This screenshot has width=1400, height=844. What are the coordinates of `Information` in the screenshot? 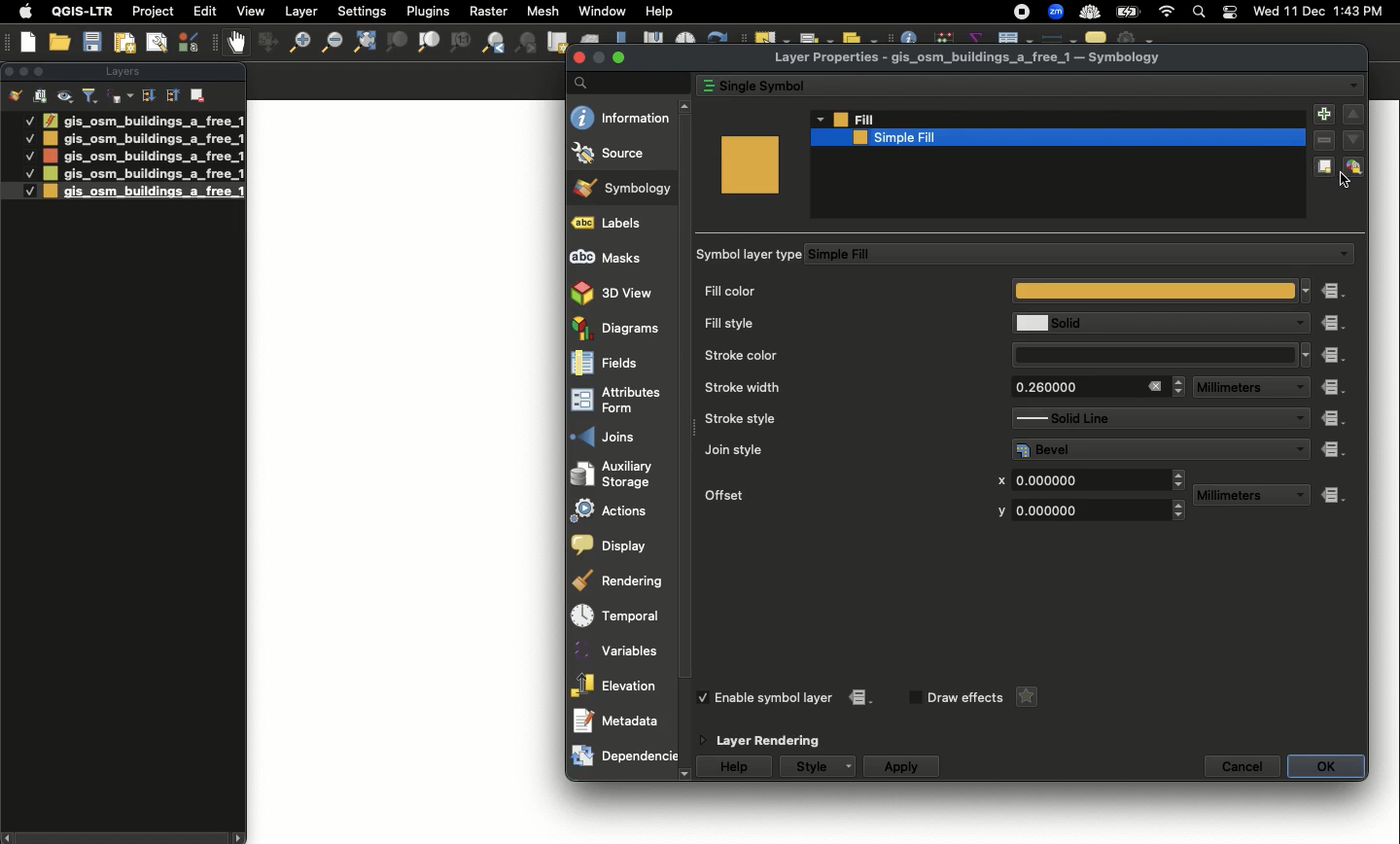 It's located at (621, 117).